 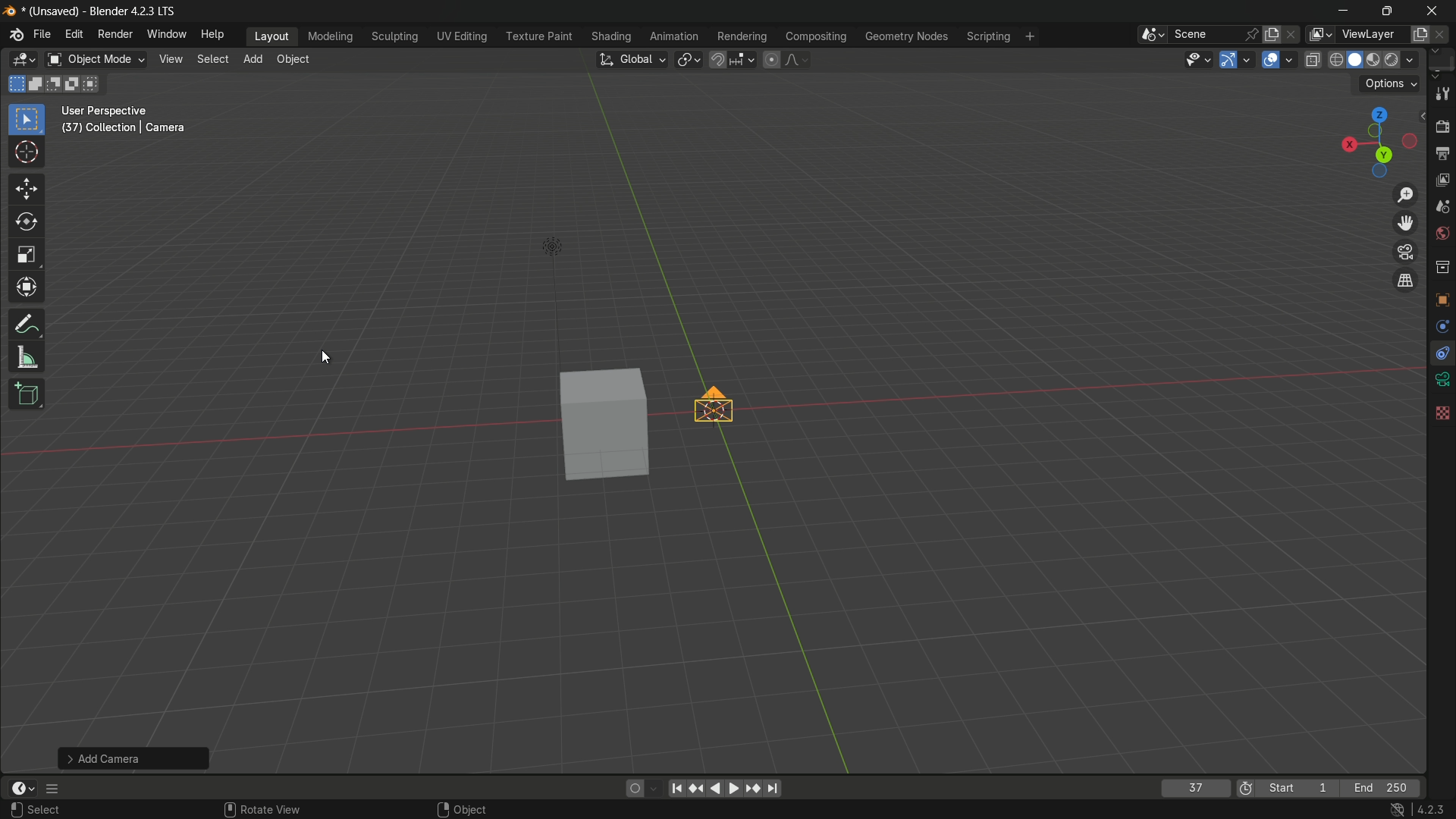 I want to click on view layer, so click(x=1439, y=180).